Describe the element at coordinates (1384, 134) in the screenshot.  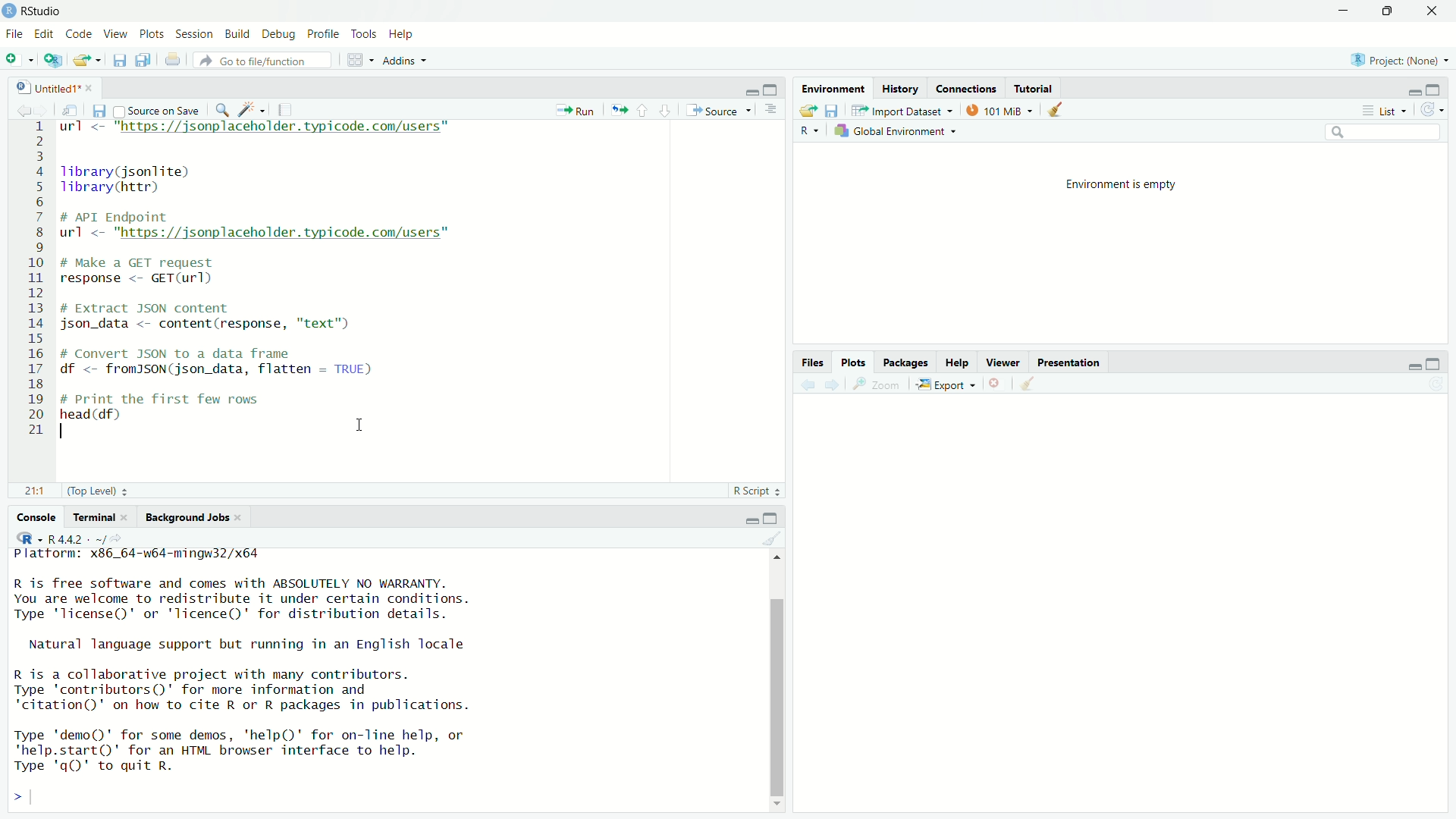
I see `Search` at that location.